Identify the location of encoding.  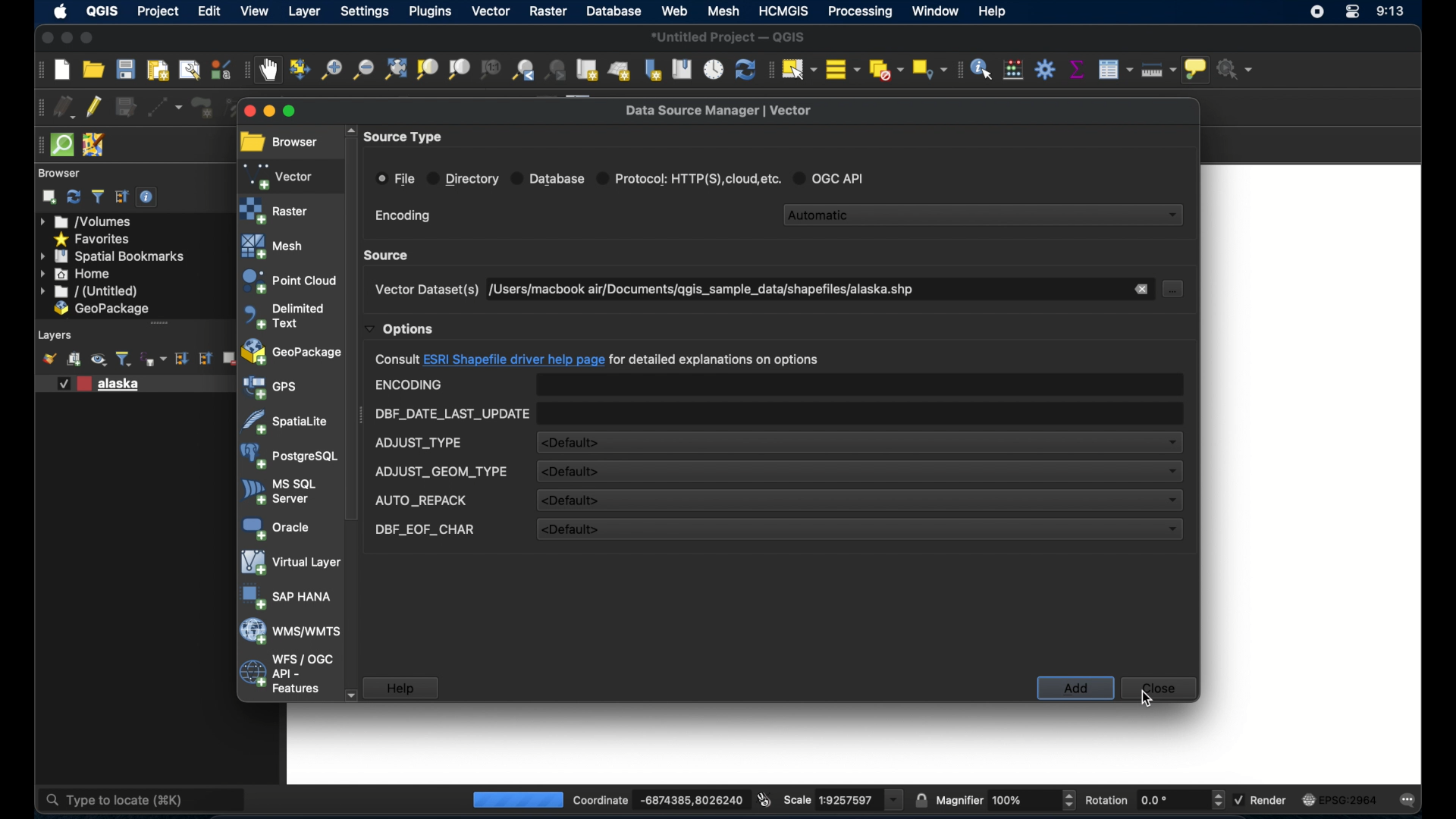
(409, 385).